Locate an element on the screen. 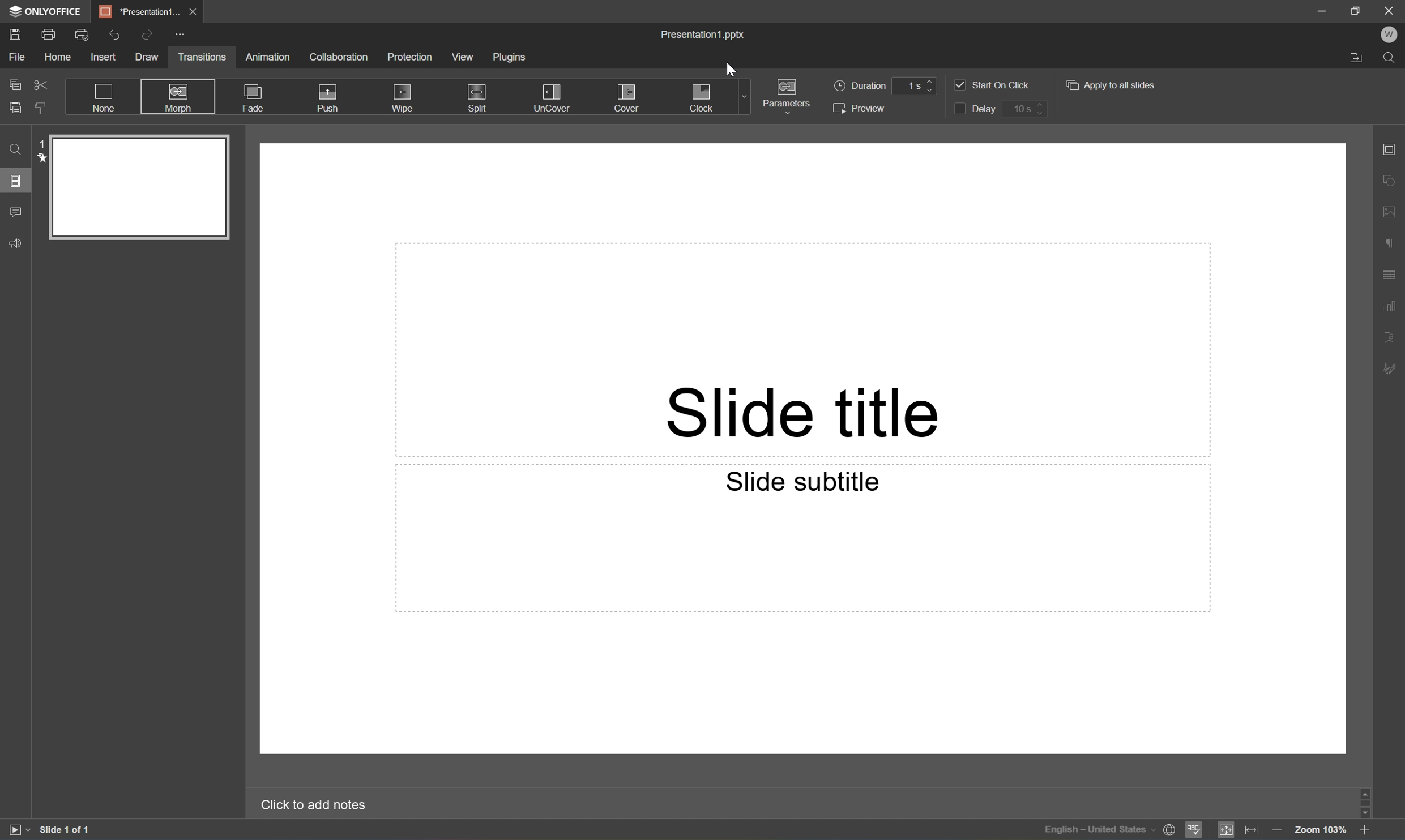 The height and width of the screenshot is (840, 1405). Preview is located at coordinates (860, 110).